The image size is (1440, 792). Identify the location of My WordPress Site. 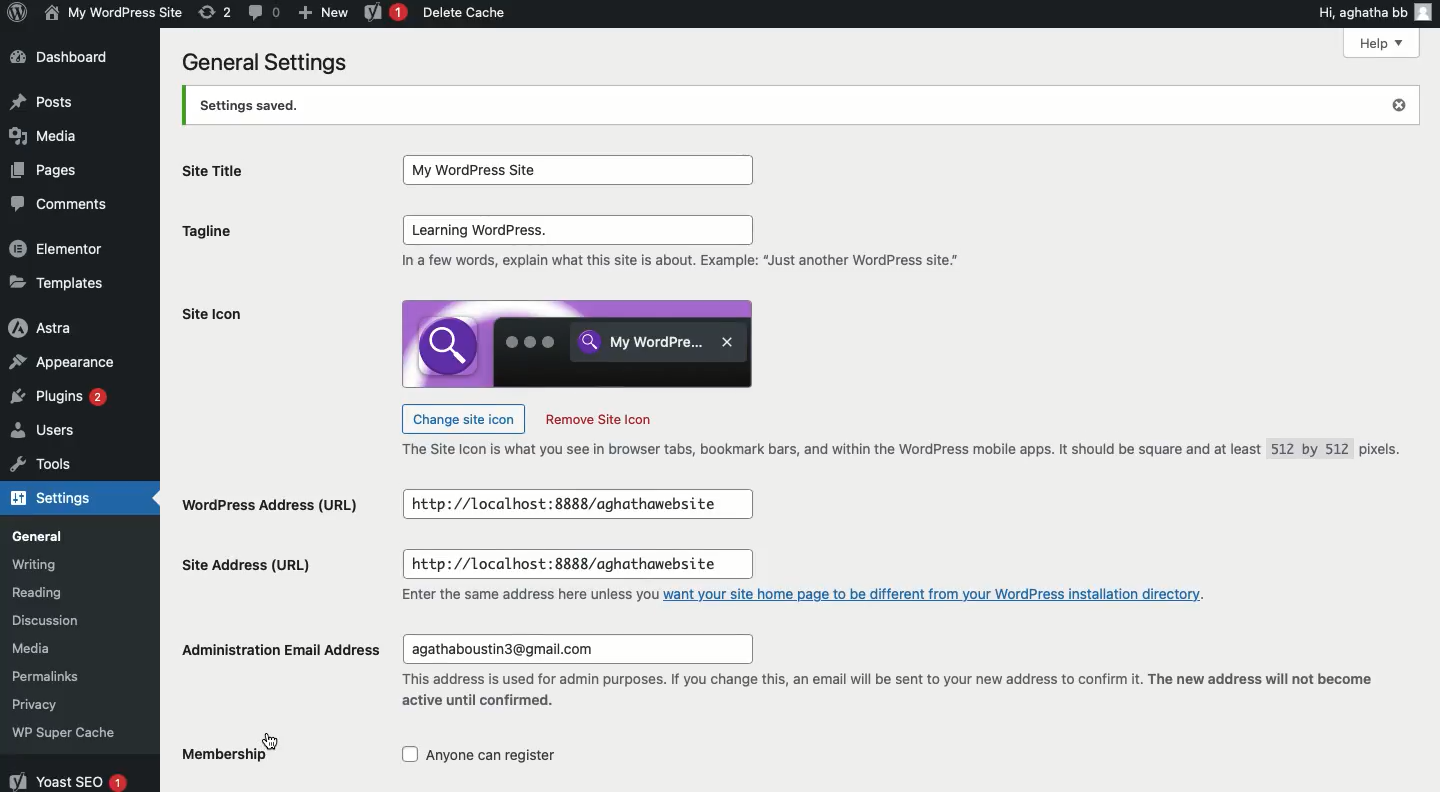
(570, 166).